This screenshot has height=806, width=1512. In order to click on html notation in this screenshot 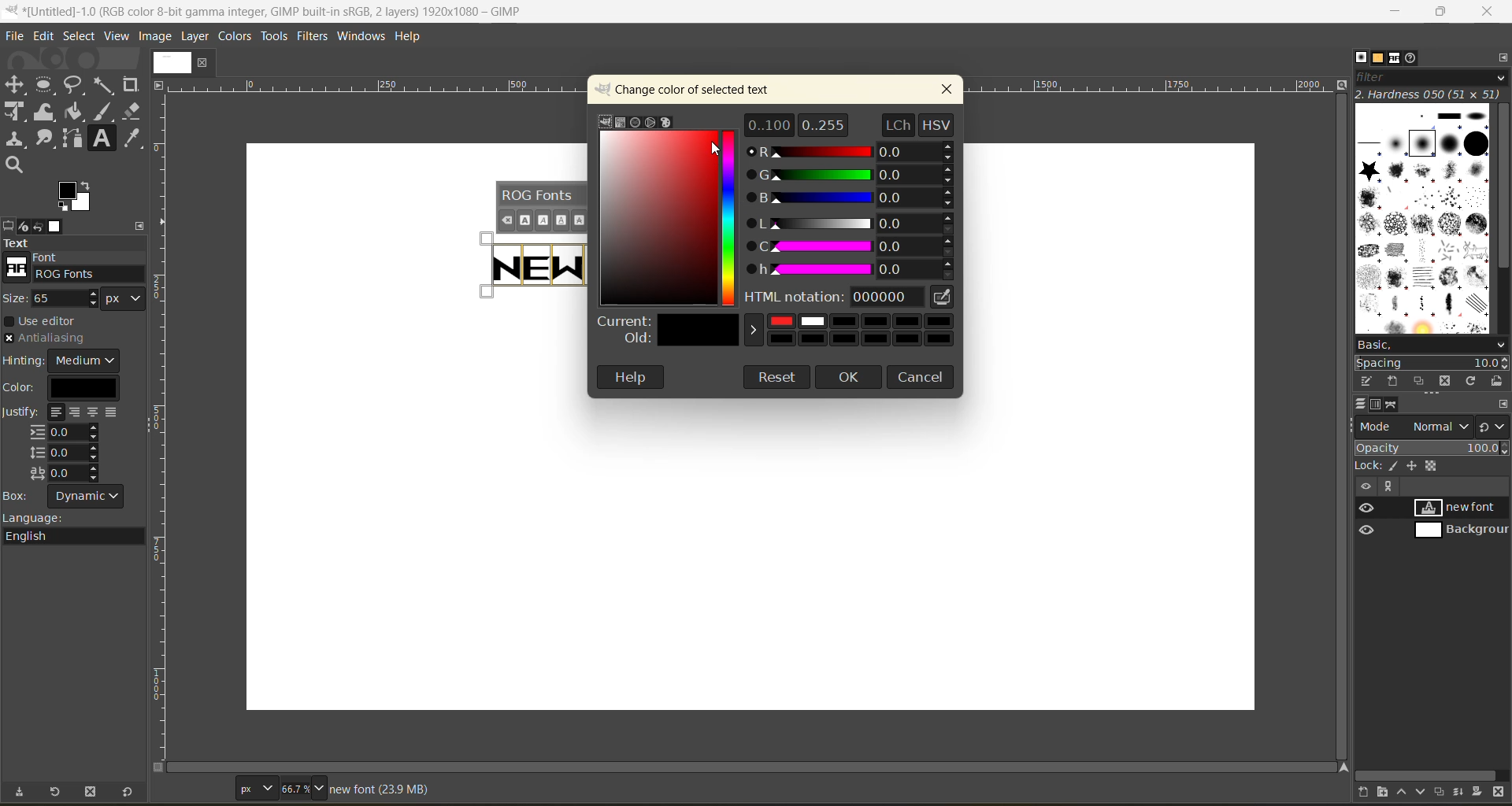, I will do `click(854, 299)`.